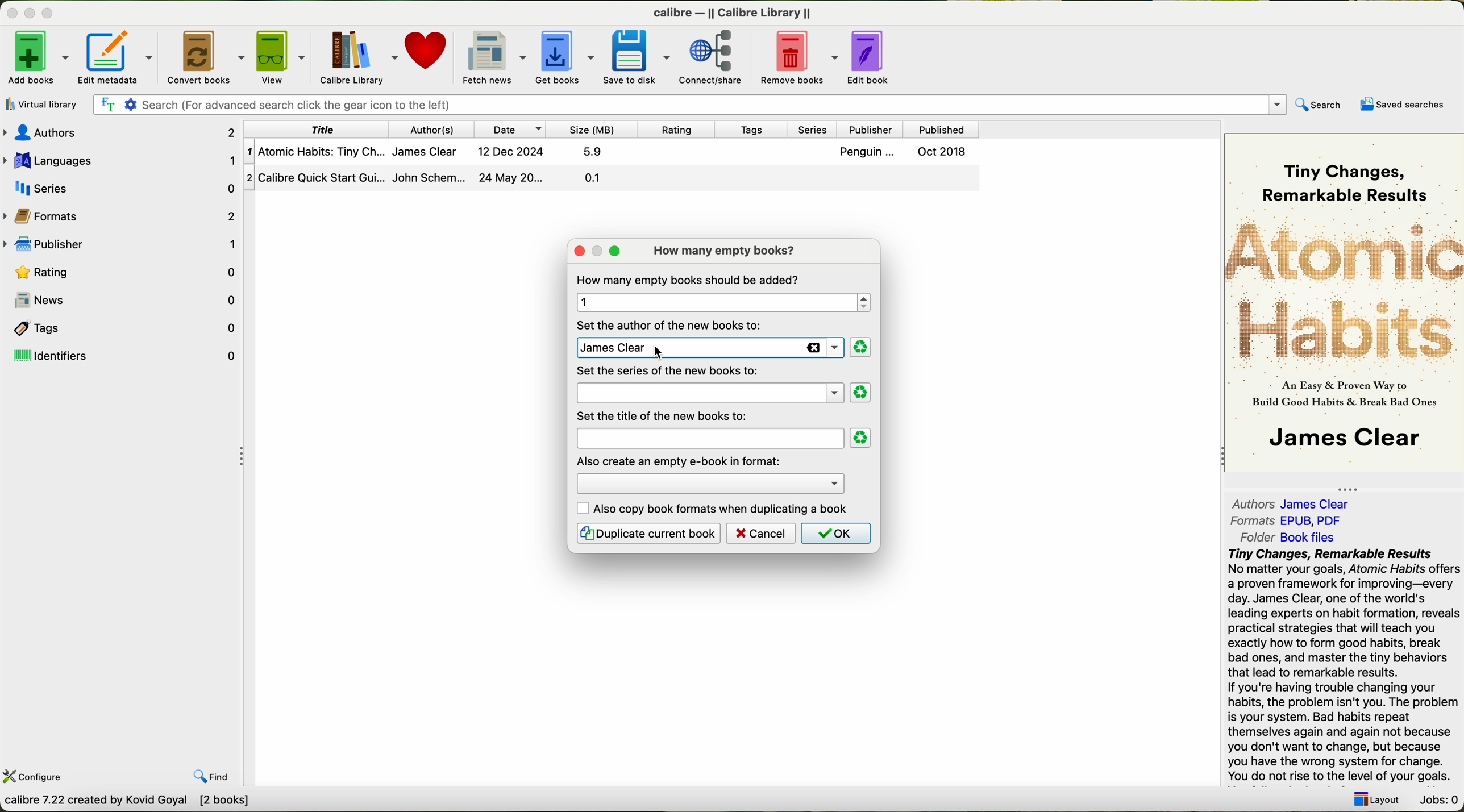 Image resolution: width=1464 pixels, height=812 pixels. Describe the element at coordinates (563, 57) in the screenshot. I see `get books` at that location.